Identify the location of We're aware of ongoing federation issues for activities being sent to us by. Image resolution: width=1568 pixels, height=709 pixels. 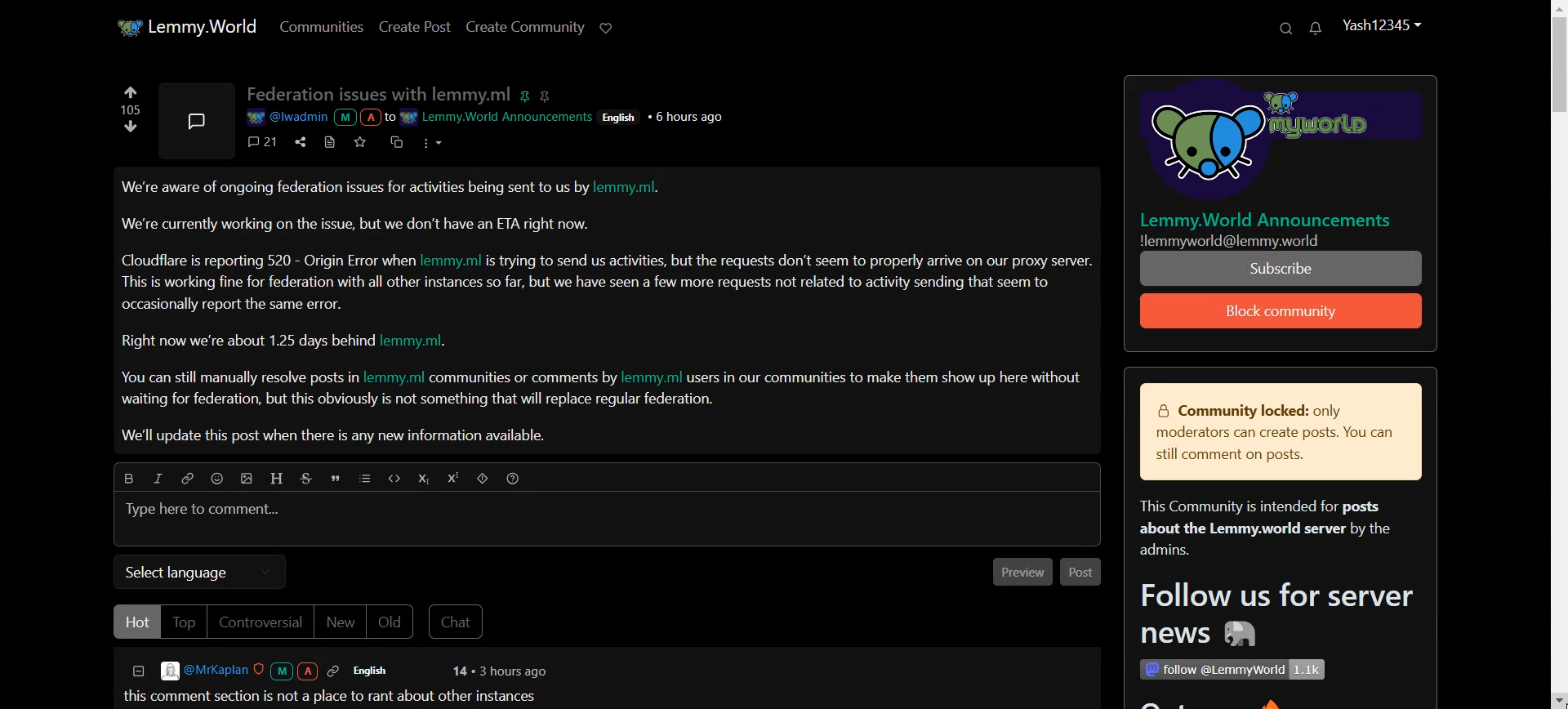
(353, 187).